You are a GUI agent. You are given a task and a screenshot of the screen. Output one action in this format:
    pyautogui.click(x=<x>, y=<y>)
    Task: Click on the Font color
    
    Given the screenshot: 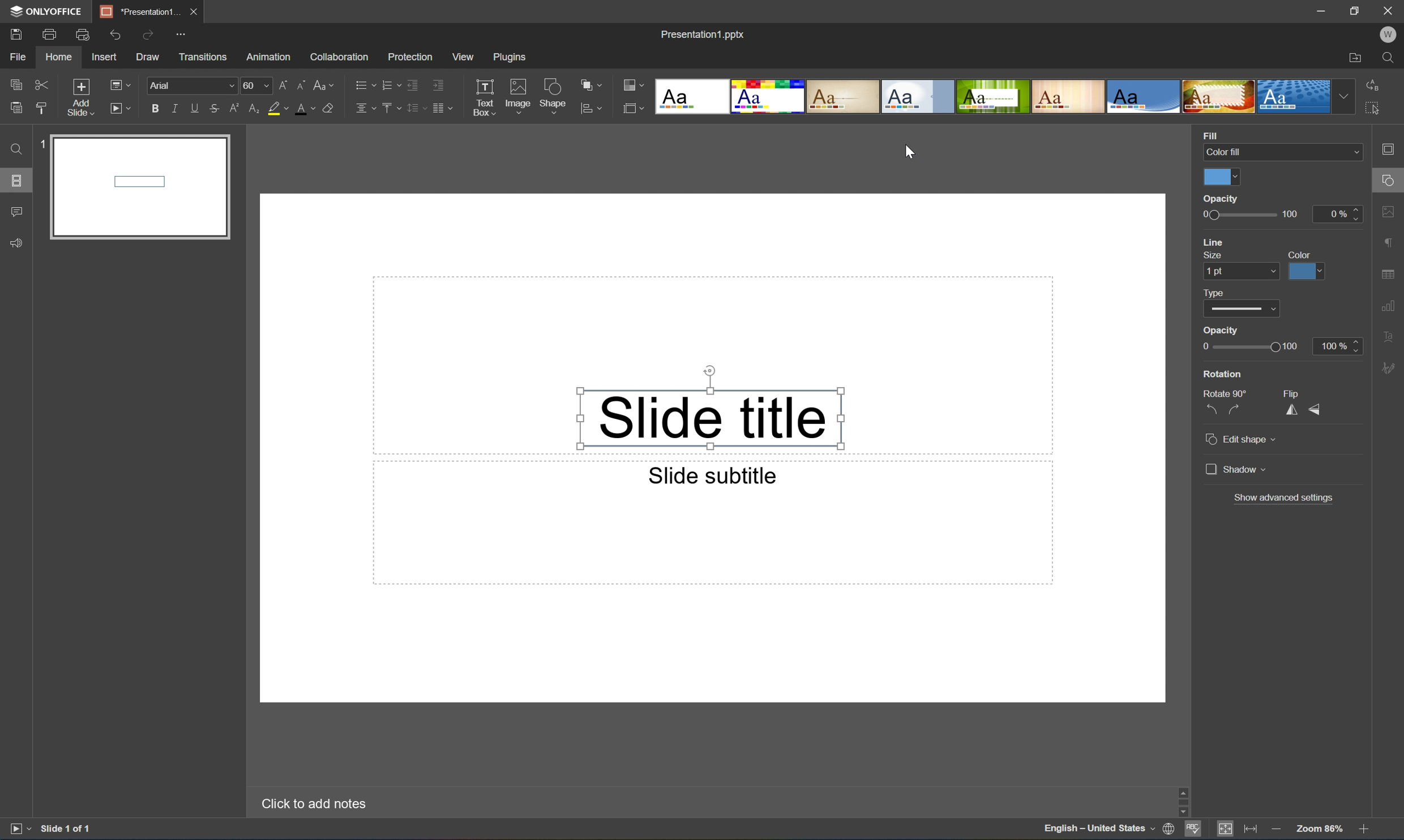 What is the action you would take?
    pyautogui.click(x=307, y=110)
    